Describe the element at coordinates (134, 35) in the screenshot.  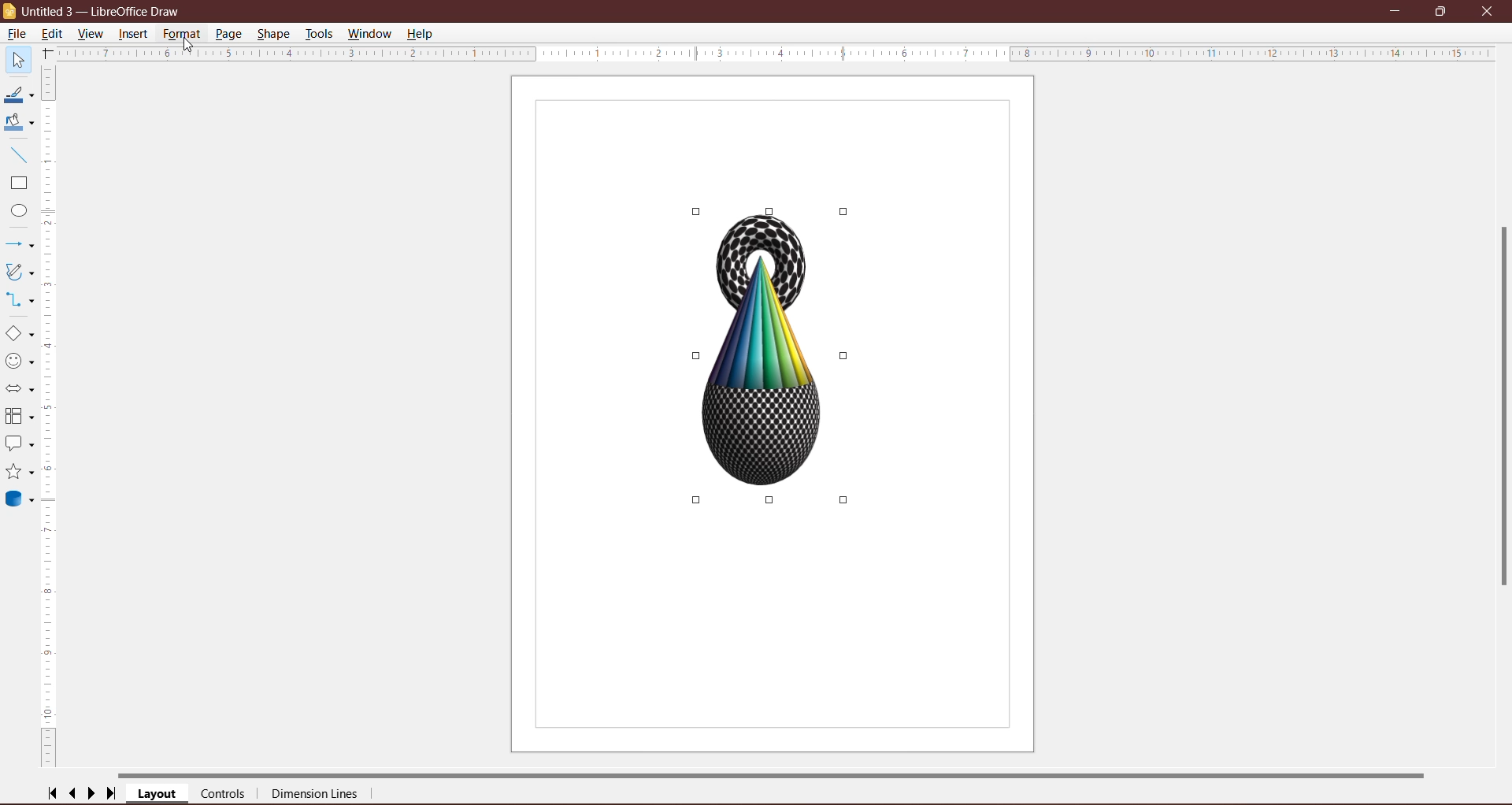
I see `Insert` at that location.